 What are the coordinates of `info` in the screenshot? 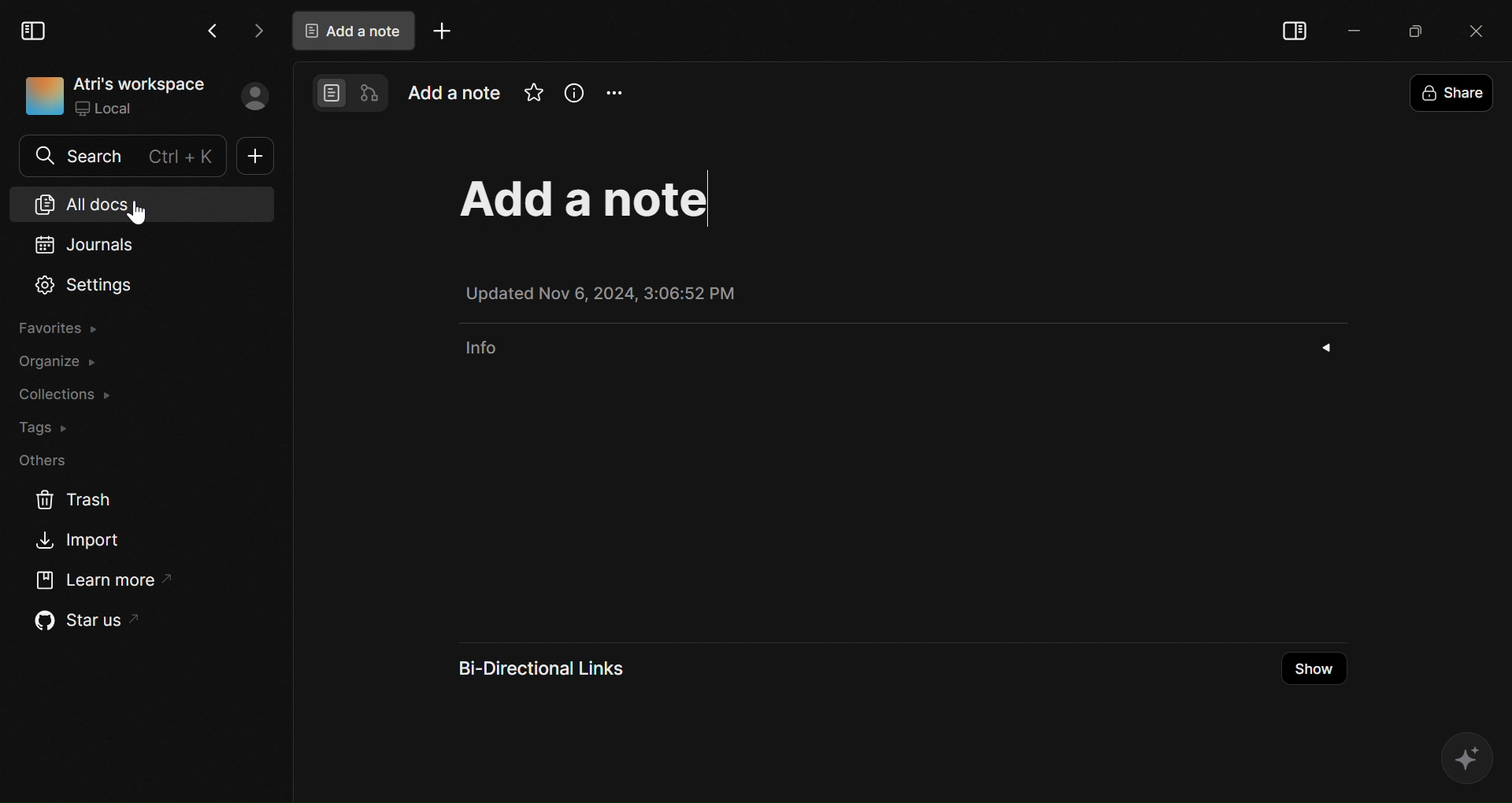 It's located at (486, 347).